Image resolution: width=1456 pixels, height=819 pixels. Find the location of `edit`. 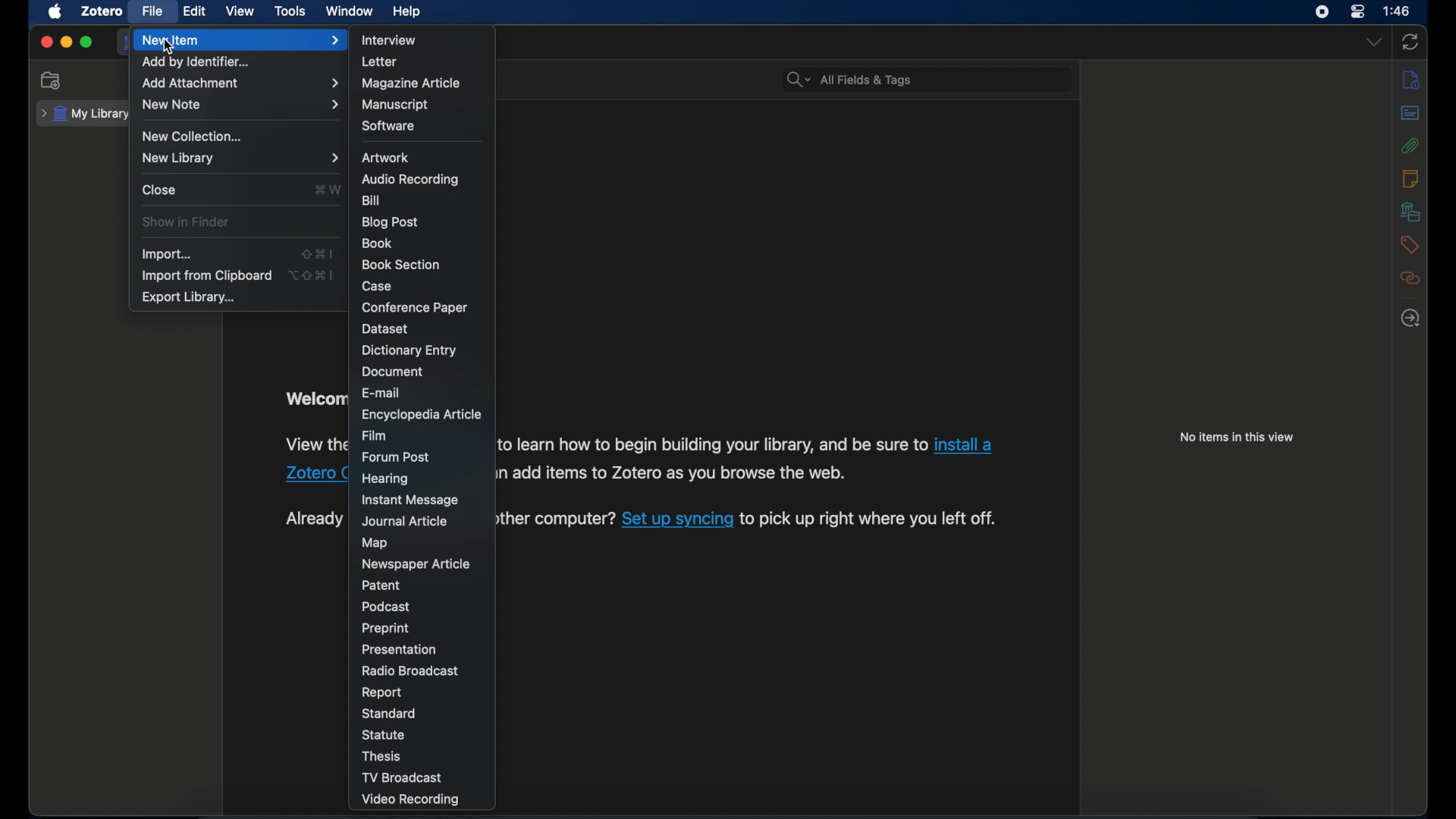

edit is located at coordinates (193, 11).